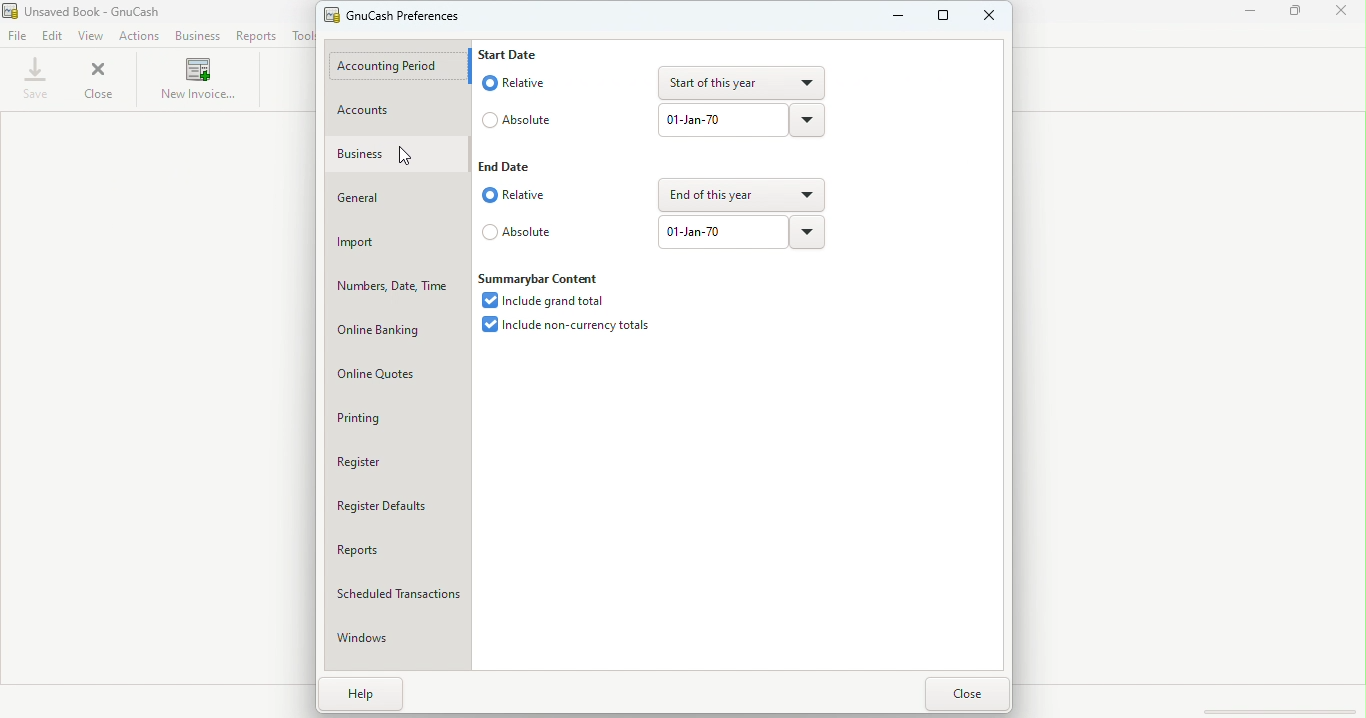 The height and width of the screenshot is (718, 1366). I want to click on Import, so click(395, 242).